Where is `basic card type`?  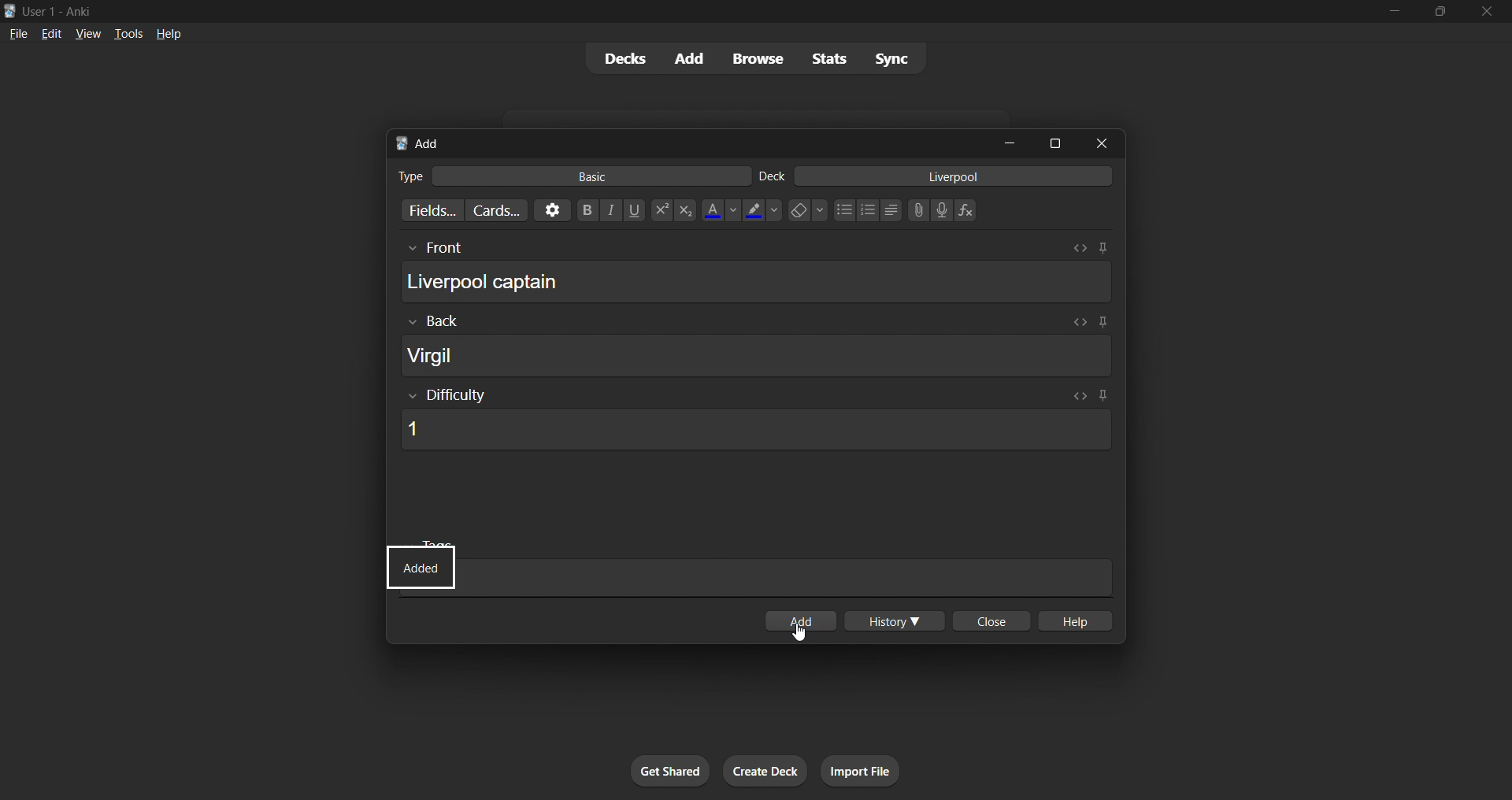
basic card type is located at coordinates (589, 176).